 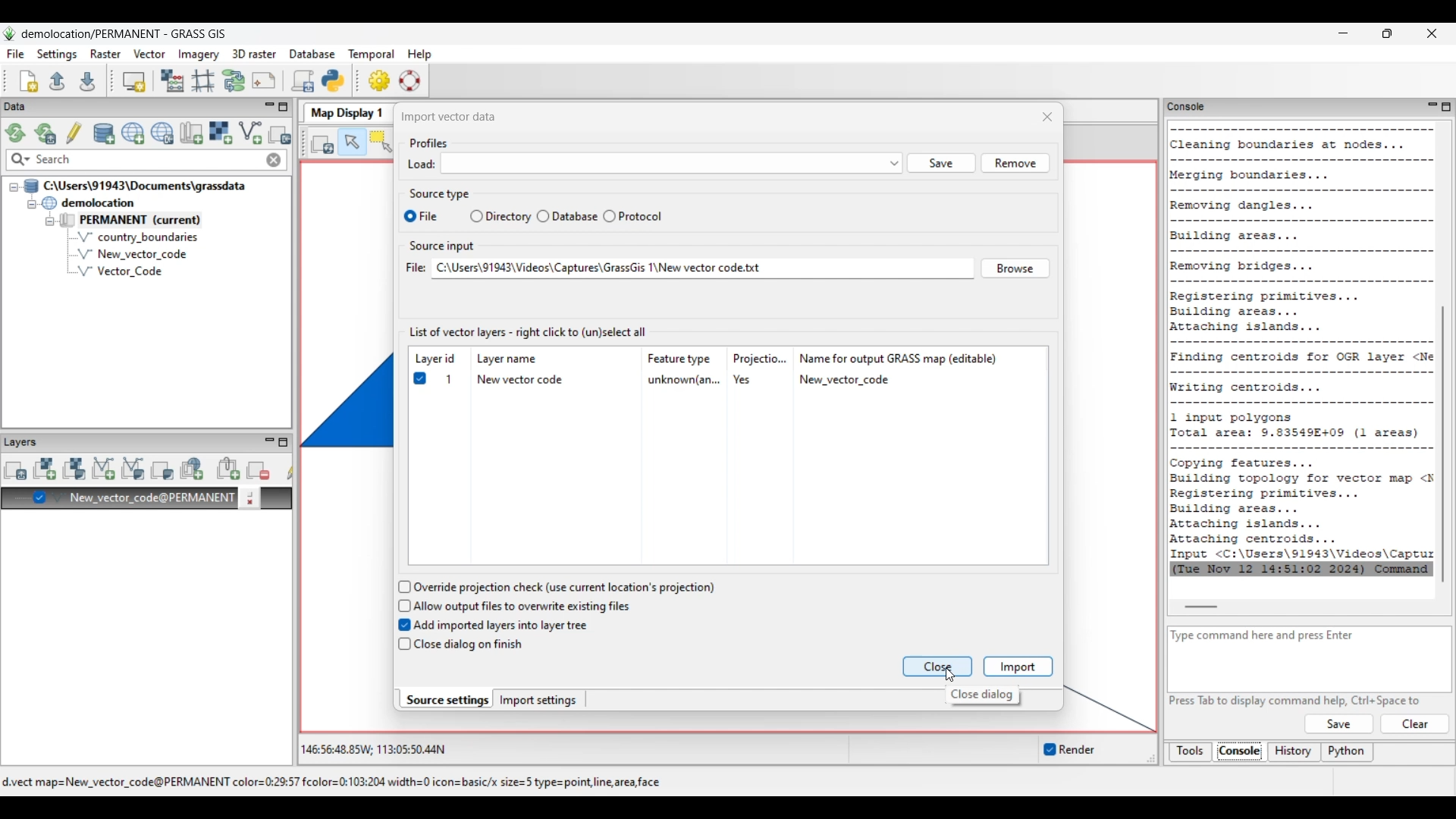 What do you see at coordinates (1416, 724) in the screenshot?
I see `Run` at bounding box center [1416, 724].